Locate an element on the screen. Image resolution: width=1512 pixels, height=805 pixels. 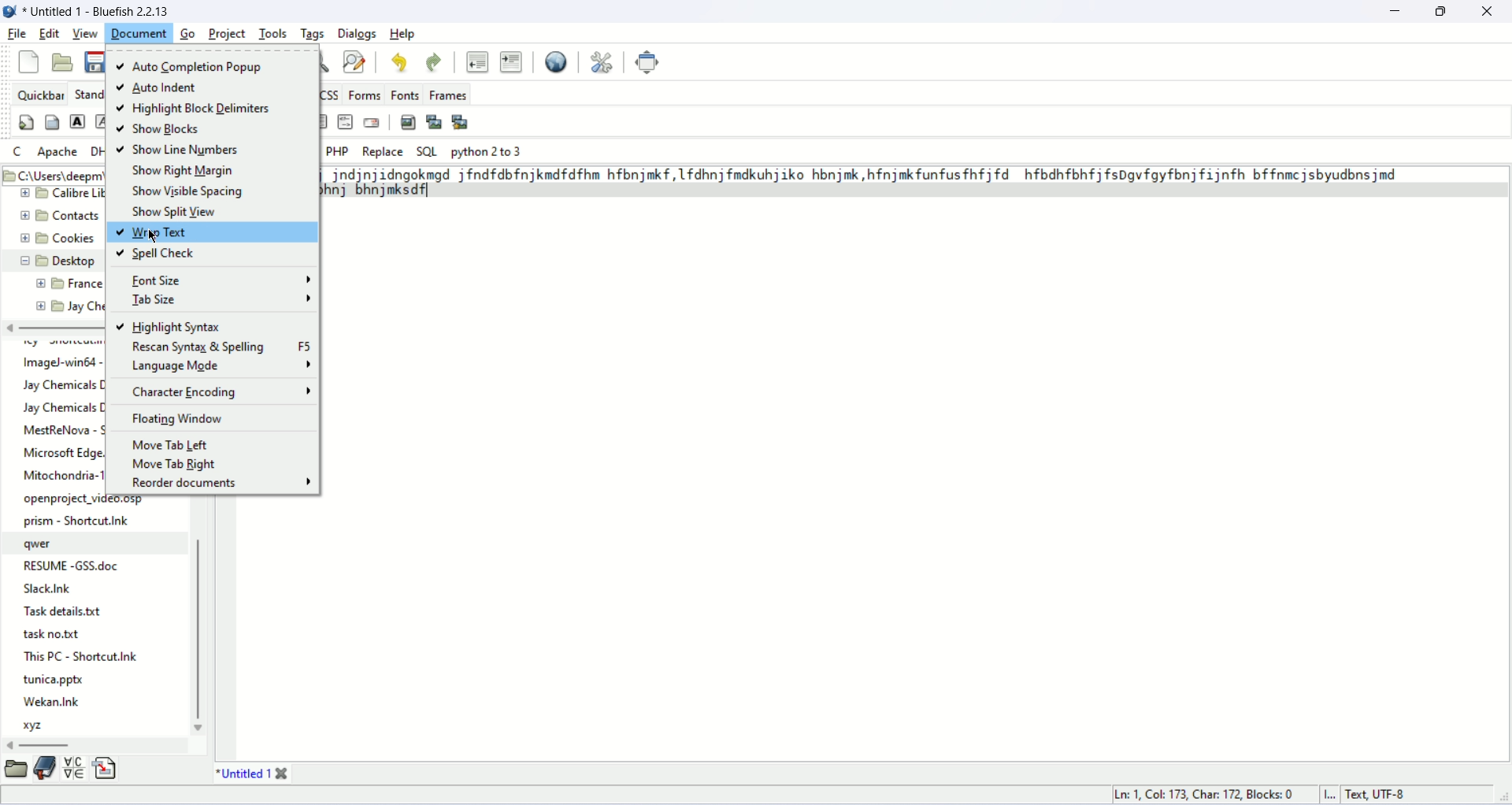
fonts is located at coordinates (405, 95).